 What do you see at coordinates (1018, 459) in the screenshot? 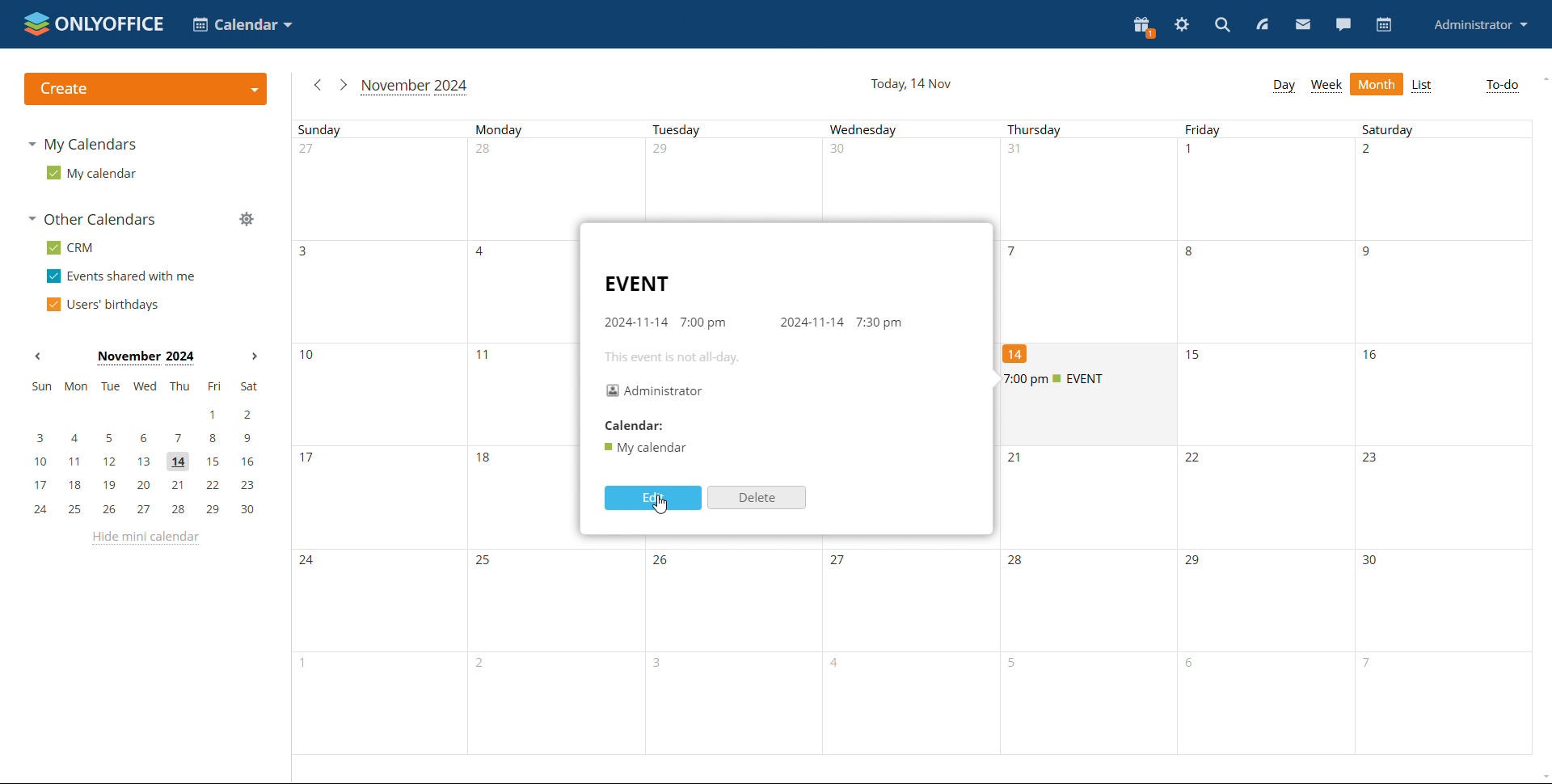
I see `number` at bounding box center [1018, 459].